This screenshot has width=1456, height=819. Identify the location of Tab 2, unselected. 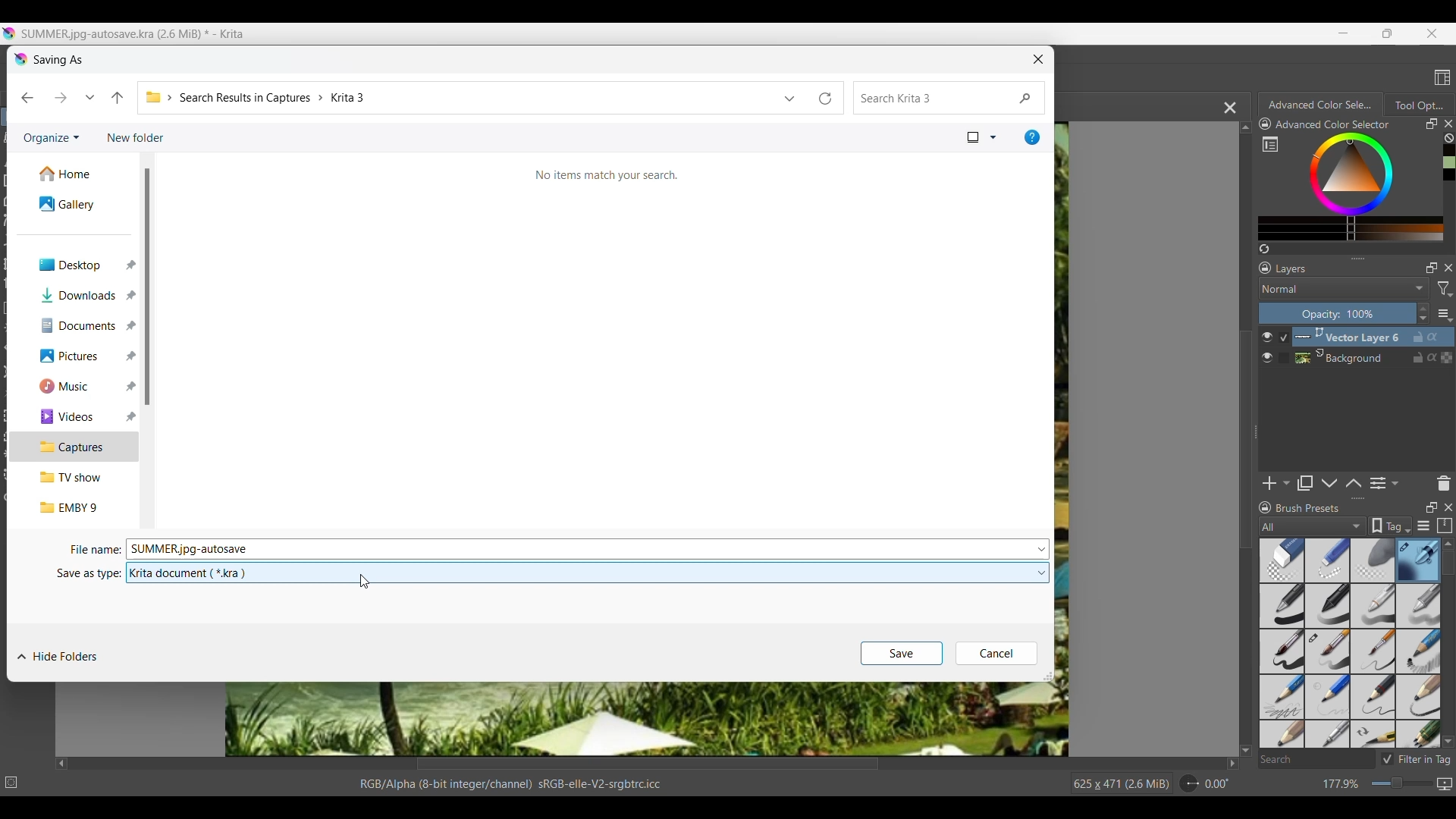
(1418, 105).